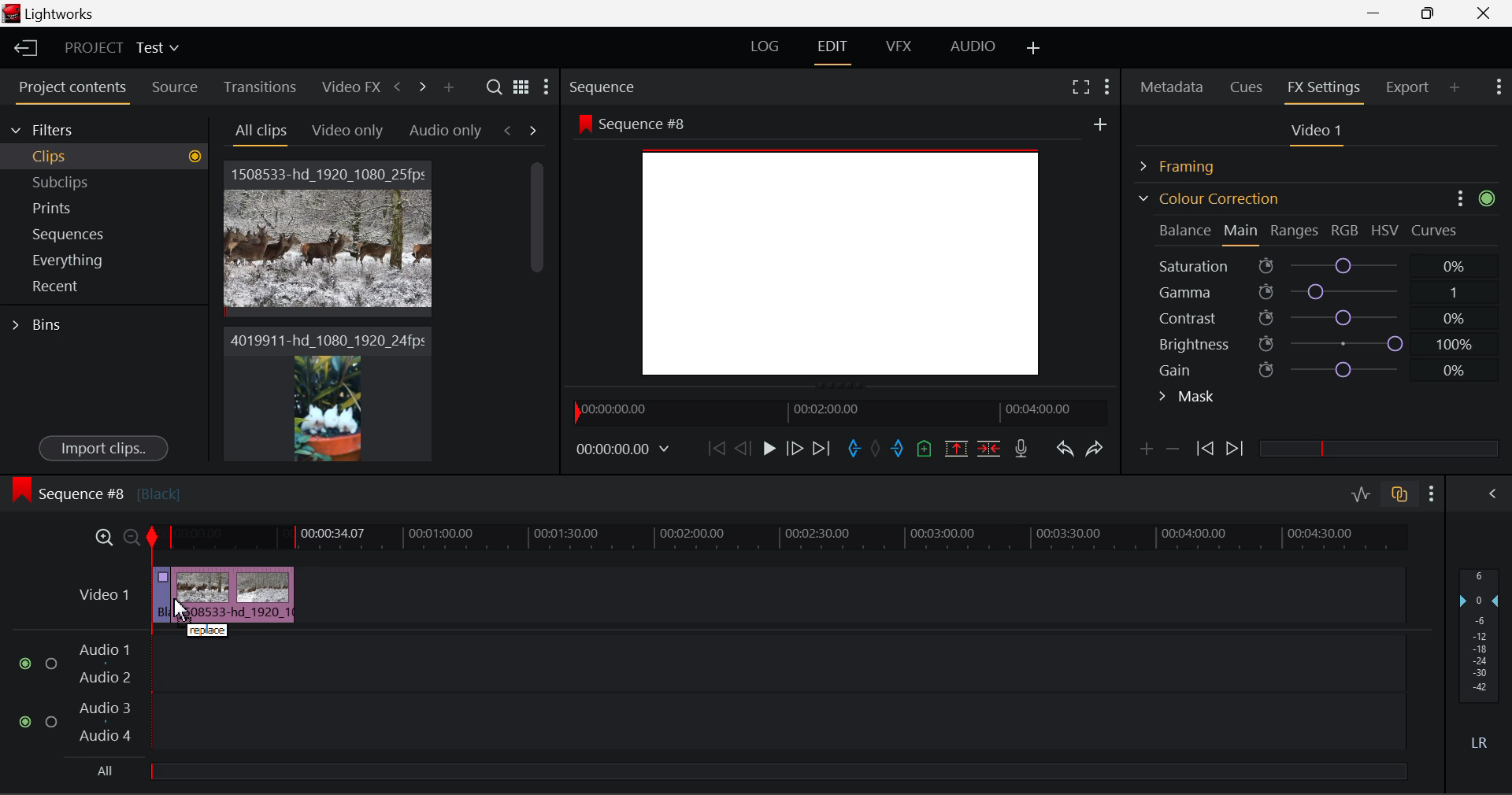 The image size is (1512, 795). I want to click on Remove All Marks, so click(877, 450).